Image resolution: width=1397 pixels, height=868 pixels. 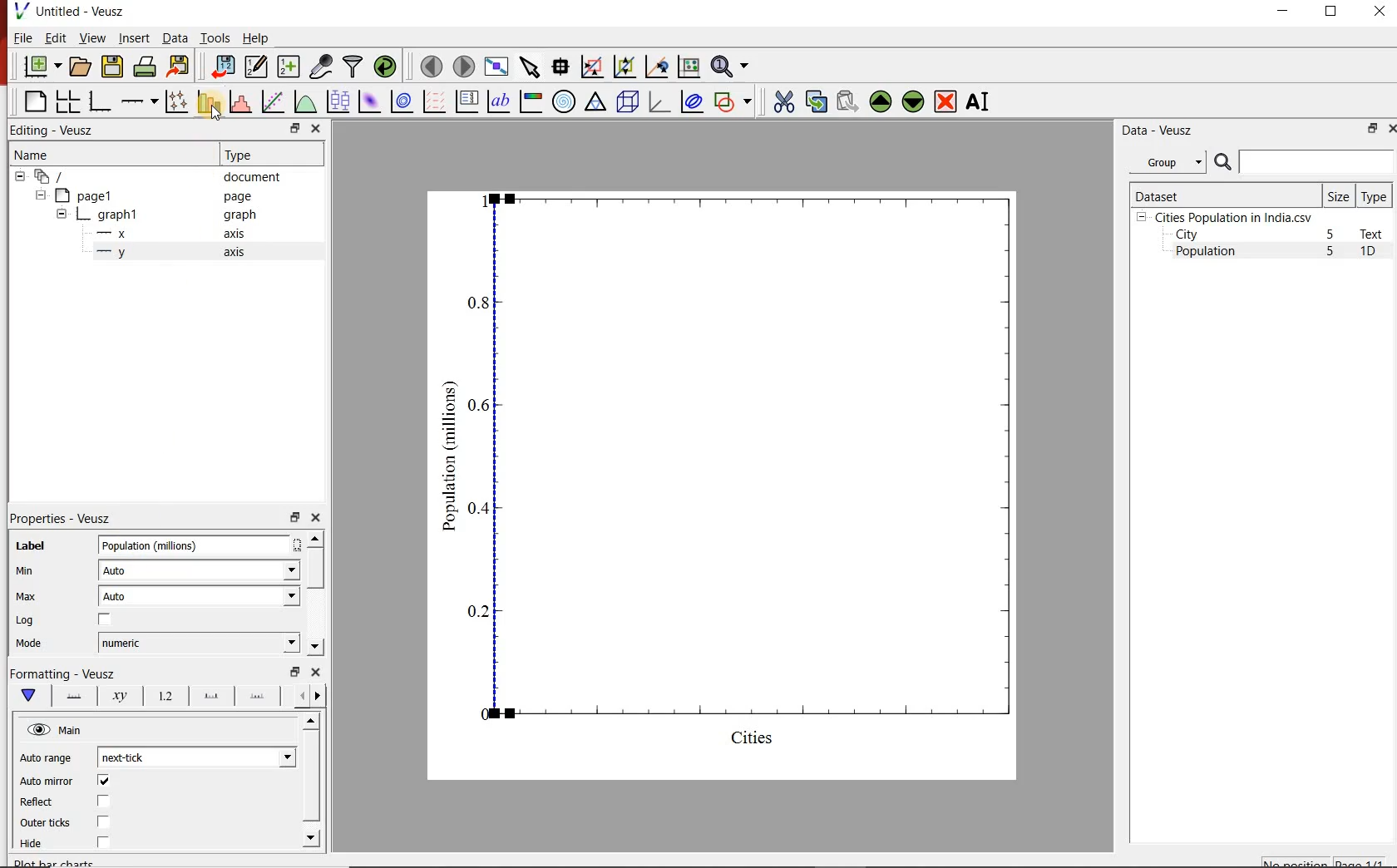 What do you see at coordinates (531, 101) in the screenshot?
I see `image color bar` at bounding box center [531, 101].